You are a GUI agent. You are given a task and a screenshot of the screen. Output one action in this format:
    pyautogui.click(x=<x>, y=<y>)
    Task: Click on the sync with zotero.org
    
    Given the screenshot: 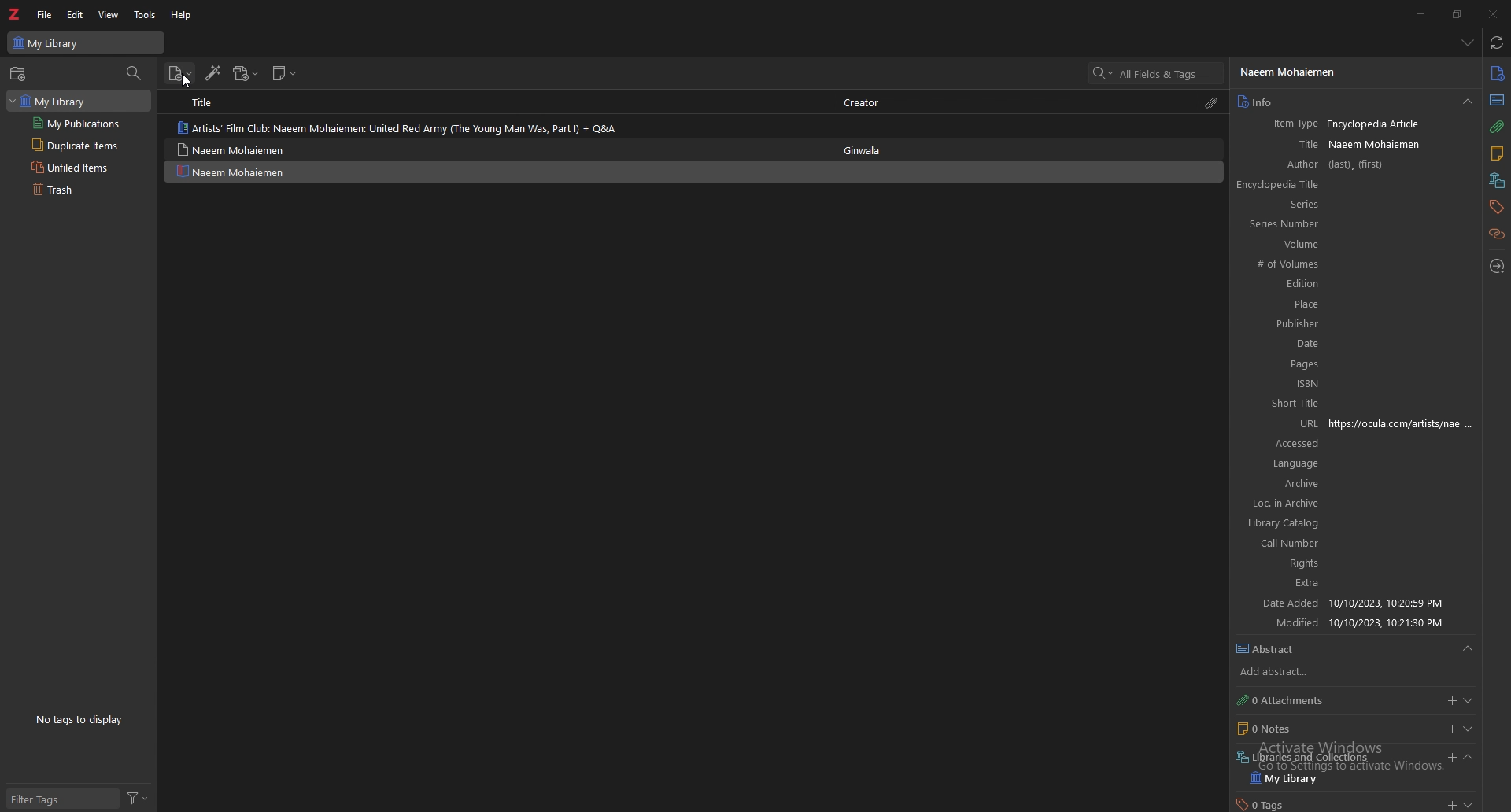 What is the action you would take?
    pyautogui.click(x=1497, y=42)
    